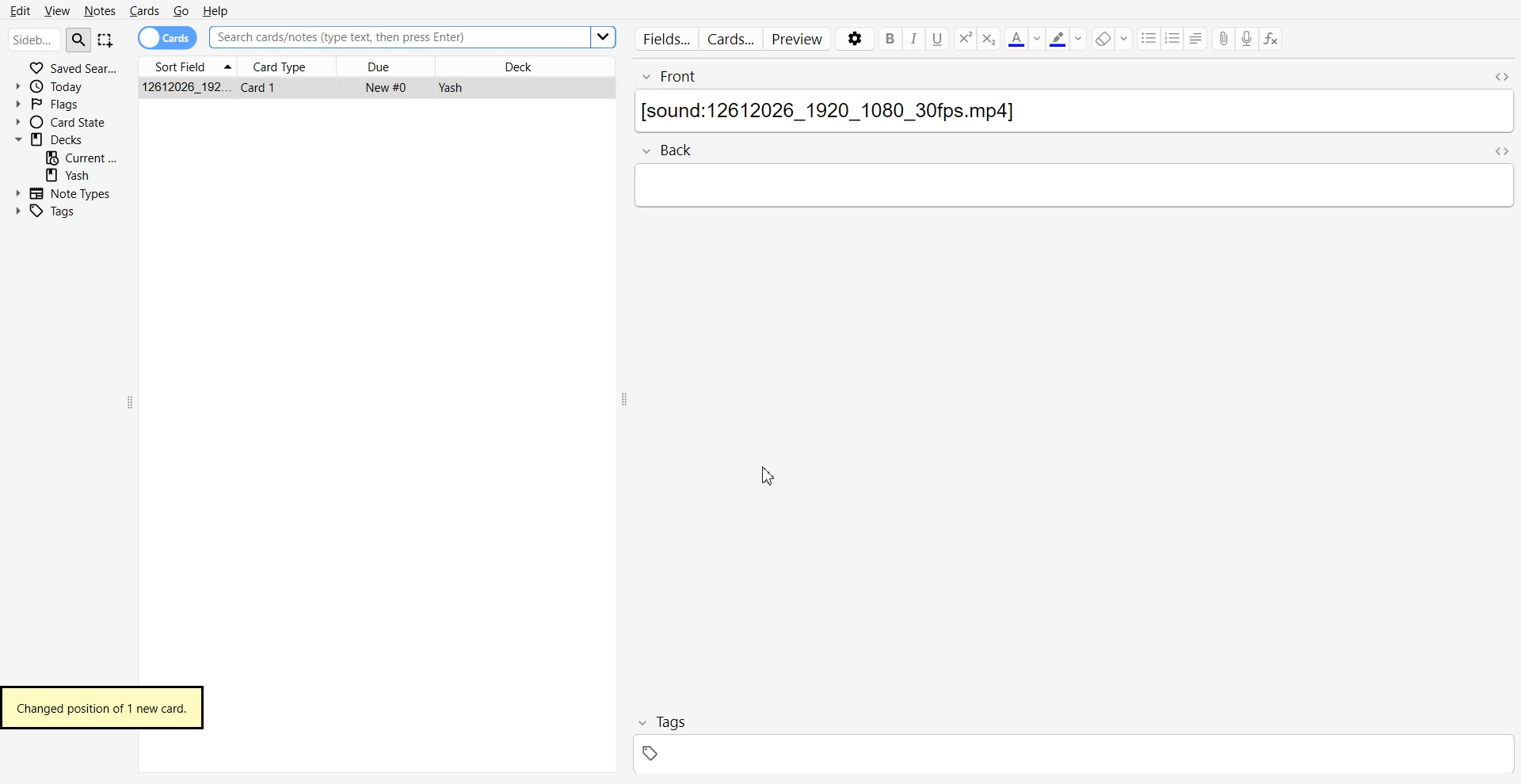 The width and height of the screenshot is (1521, 784). I want to click on Card State, so click(66, 122).